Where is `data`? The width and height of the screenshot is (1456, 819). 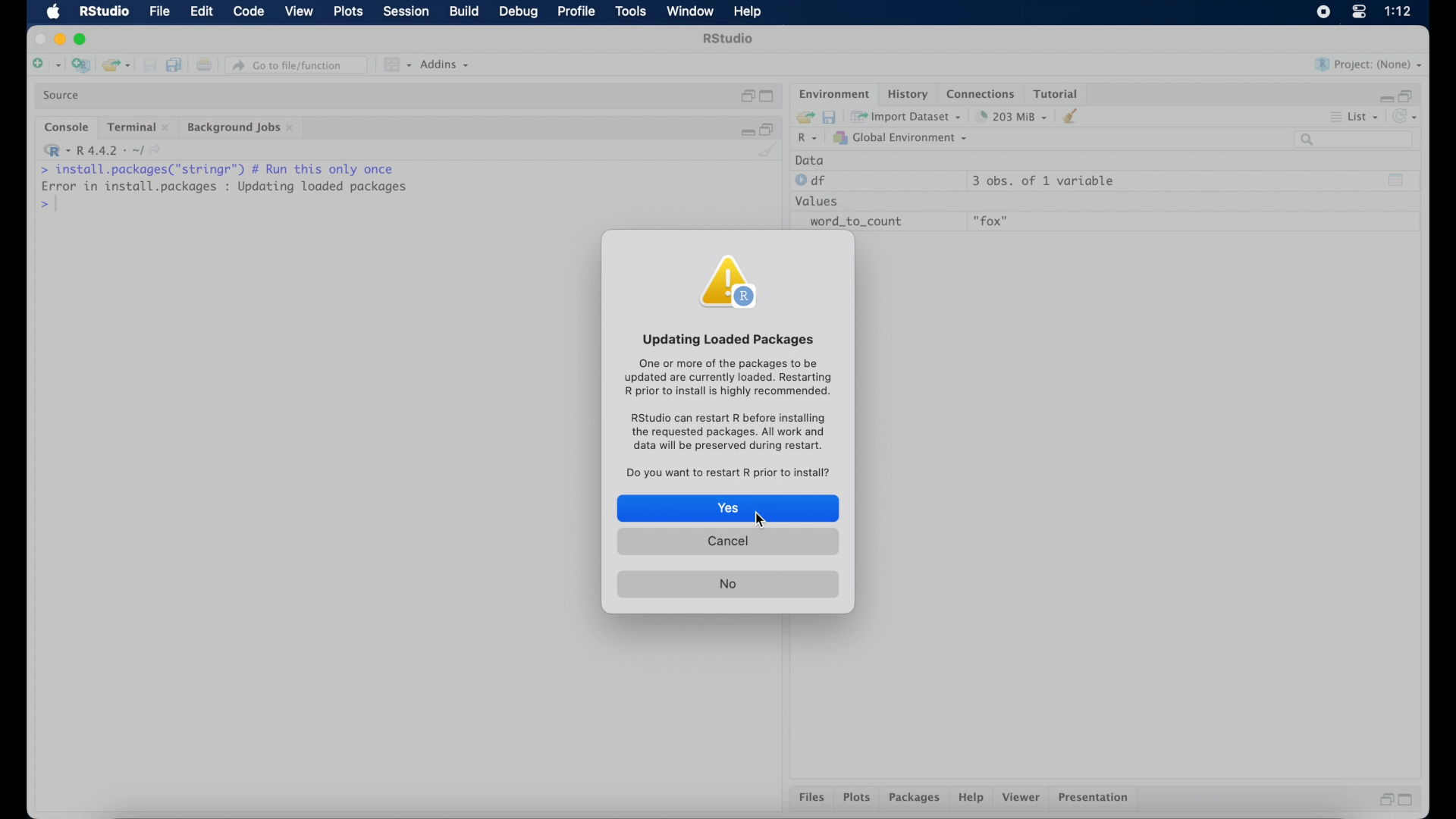
data is located at coordinates (810, 160).